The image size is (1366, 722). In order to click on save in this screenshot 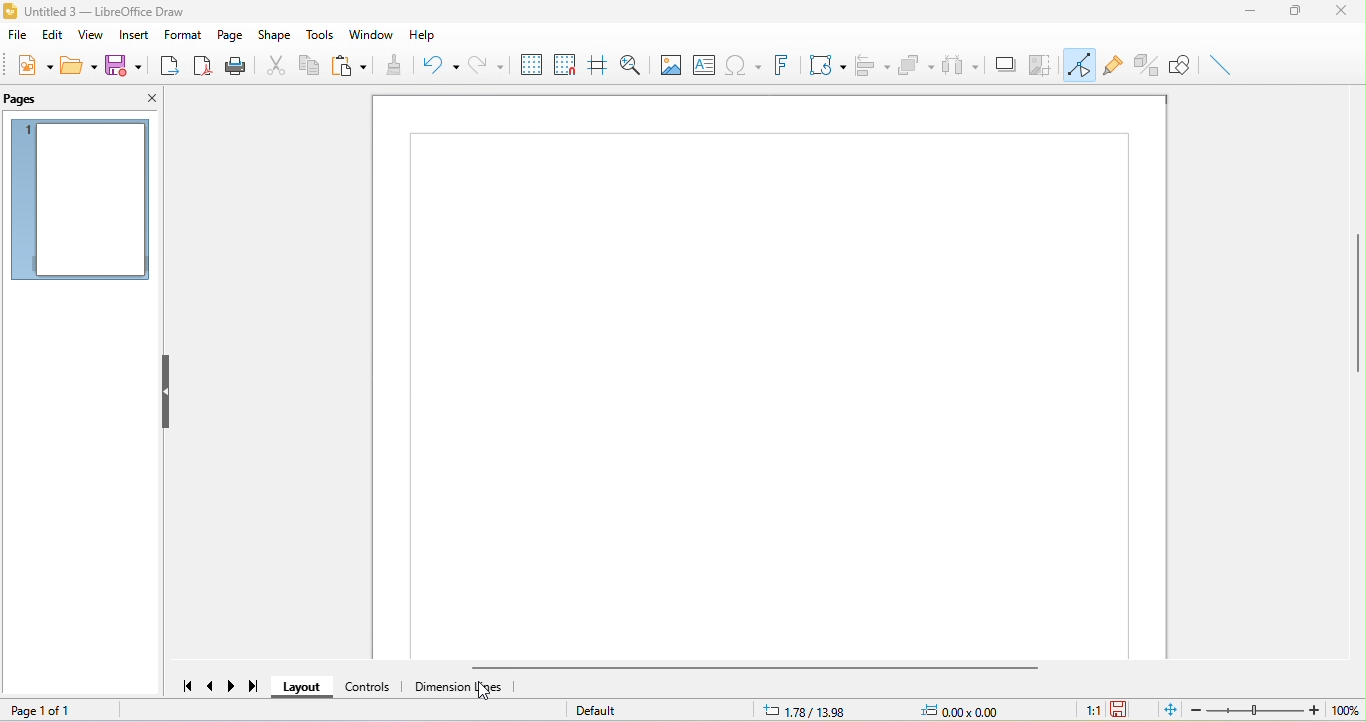, I will do `click(129, 65)`.